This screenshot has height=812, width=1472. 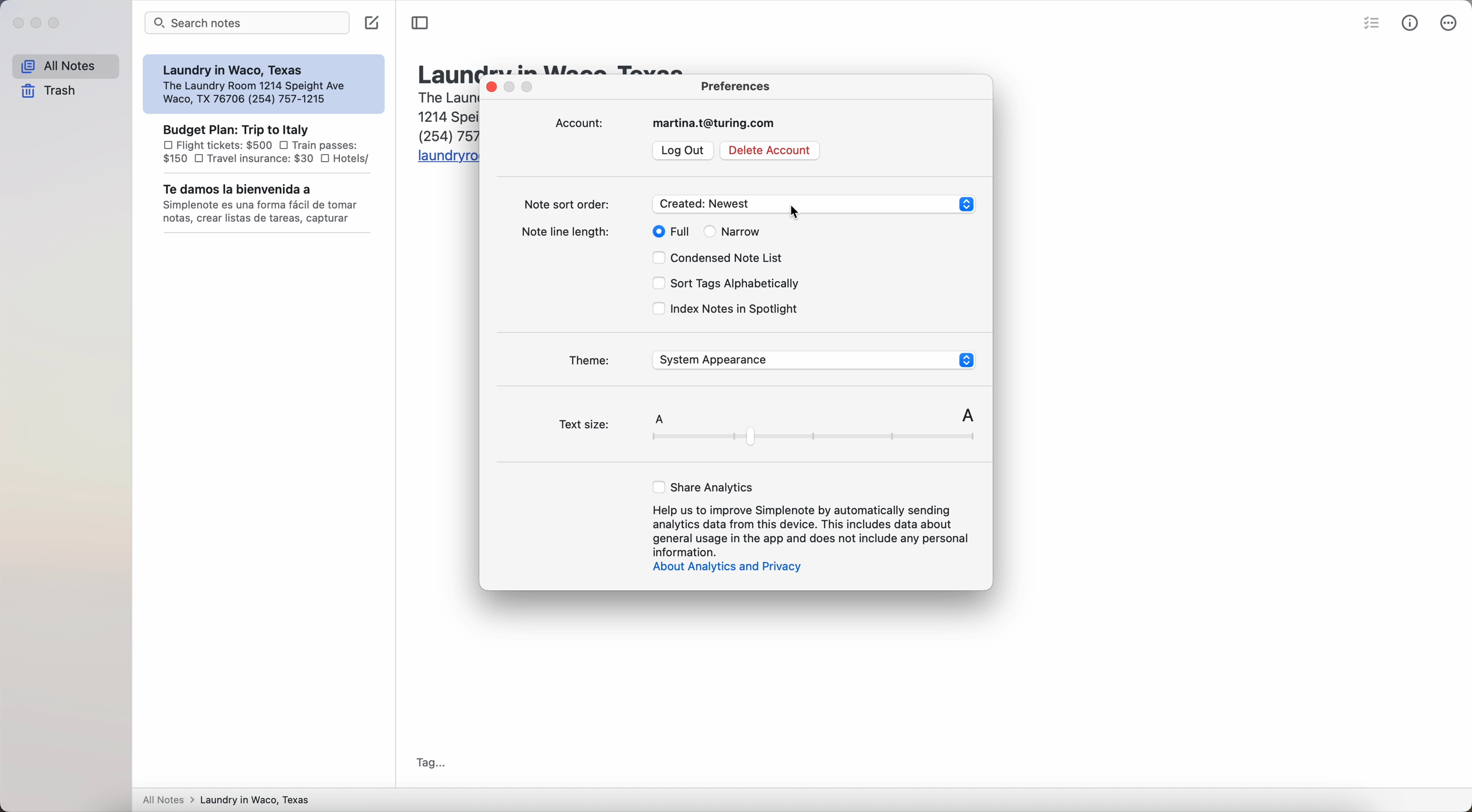 I want to click on Budget Plan: Trip to Italy note, so click(x=265, y=143).